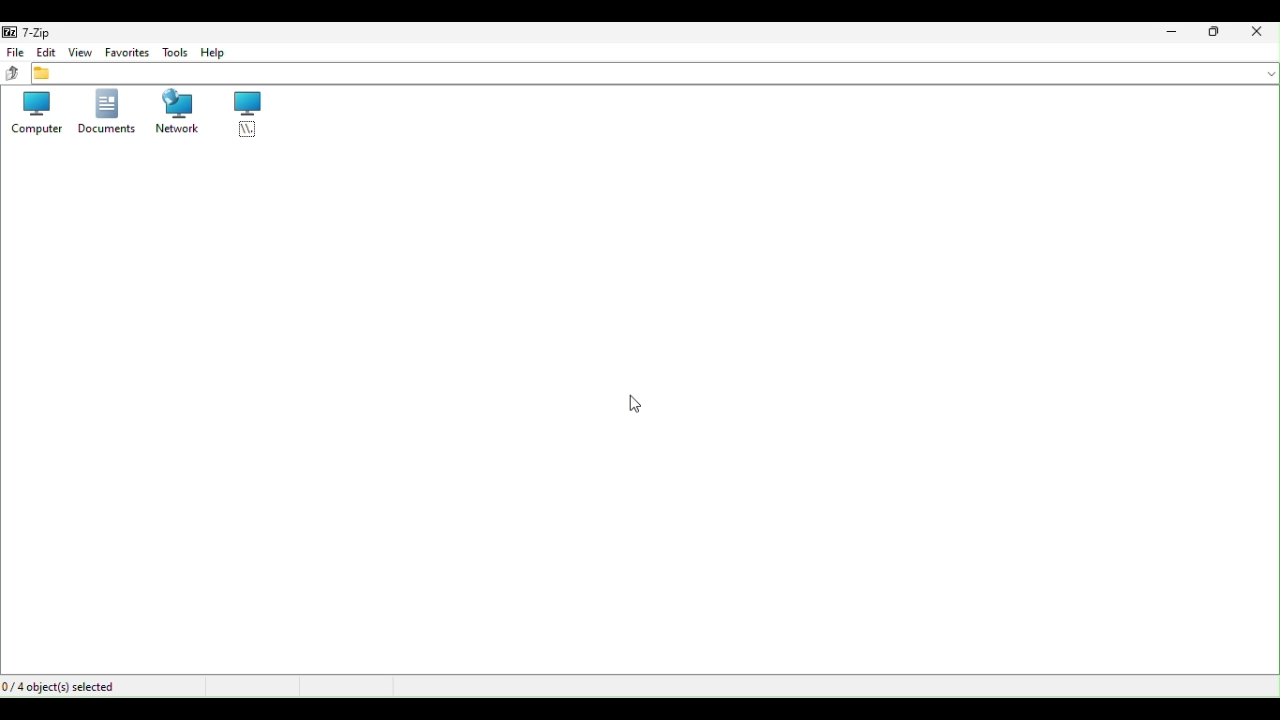 This screenshot has height=720, width=1280. What do you see at coordinates (127, 52) in the screenshot?
I see `Favourite` at bounding box center [127, 52].